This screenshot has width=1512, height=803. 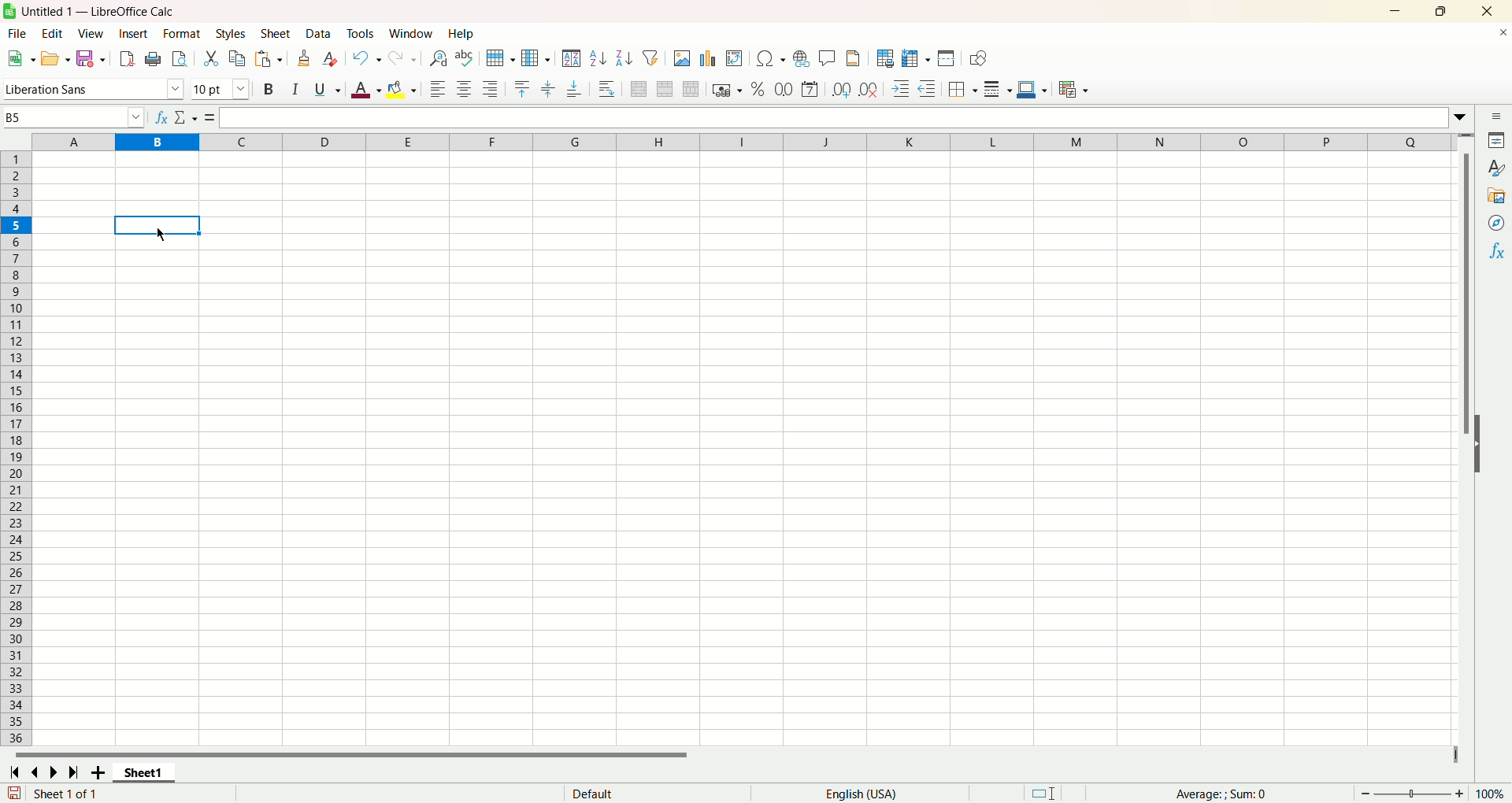 What do you see at coordinates (154, 60) in the screenshot?
I see `print` at bounding box center [154, 60].